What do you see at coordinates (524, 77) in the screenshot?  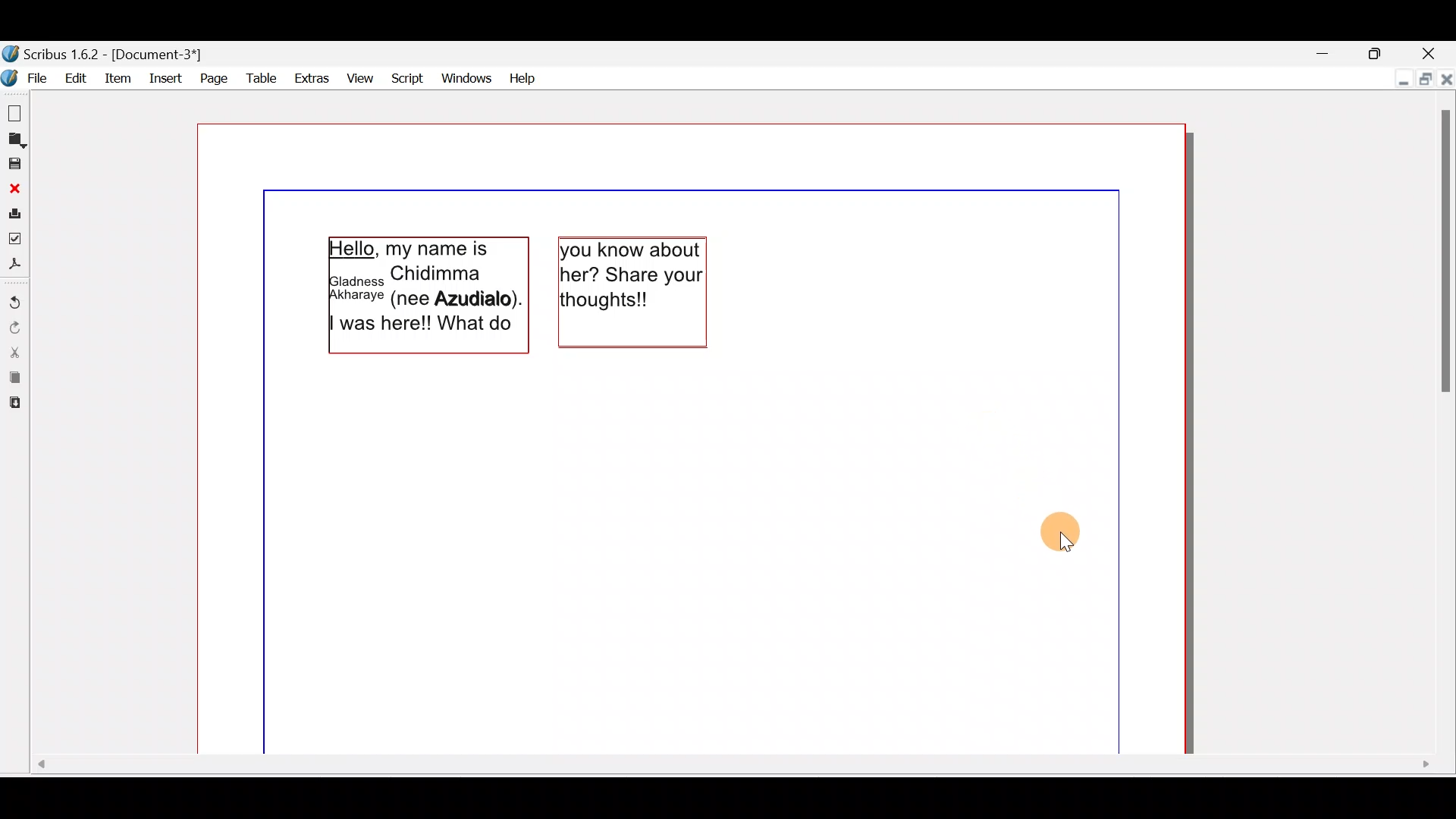 I see `Help` at bounding box center [524, 77].